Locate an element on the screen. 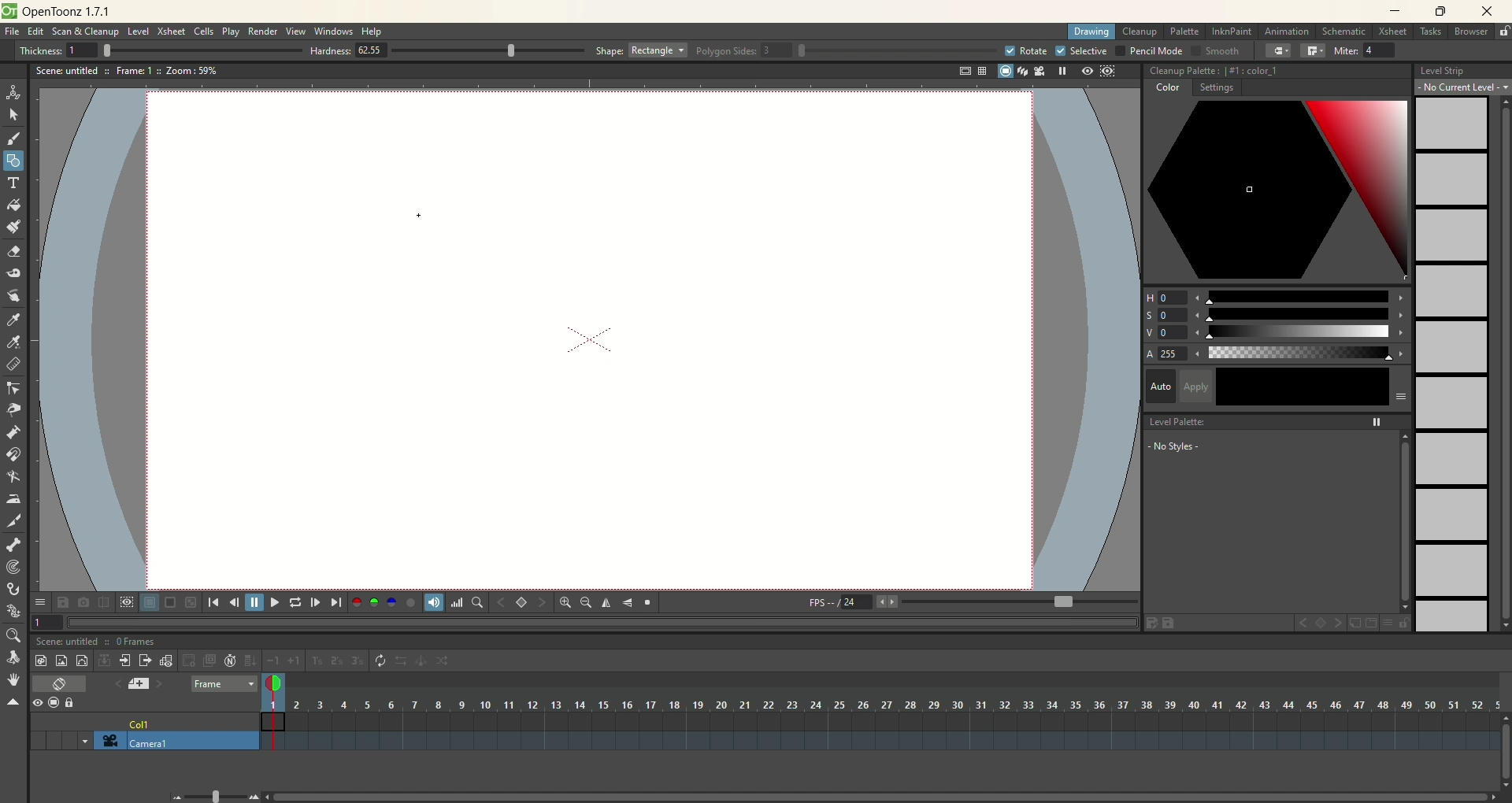 This screenshot has height=803, width=1512. lock palette is located at coordinates (1395, 623).